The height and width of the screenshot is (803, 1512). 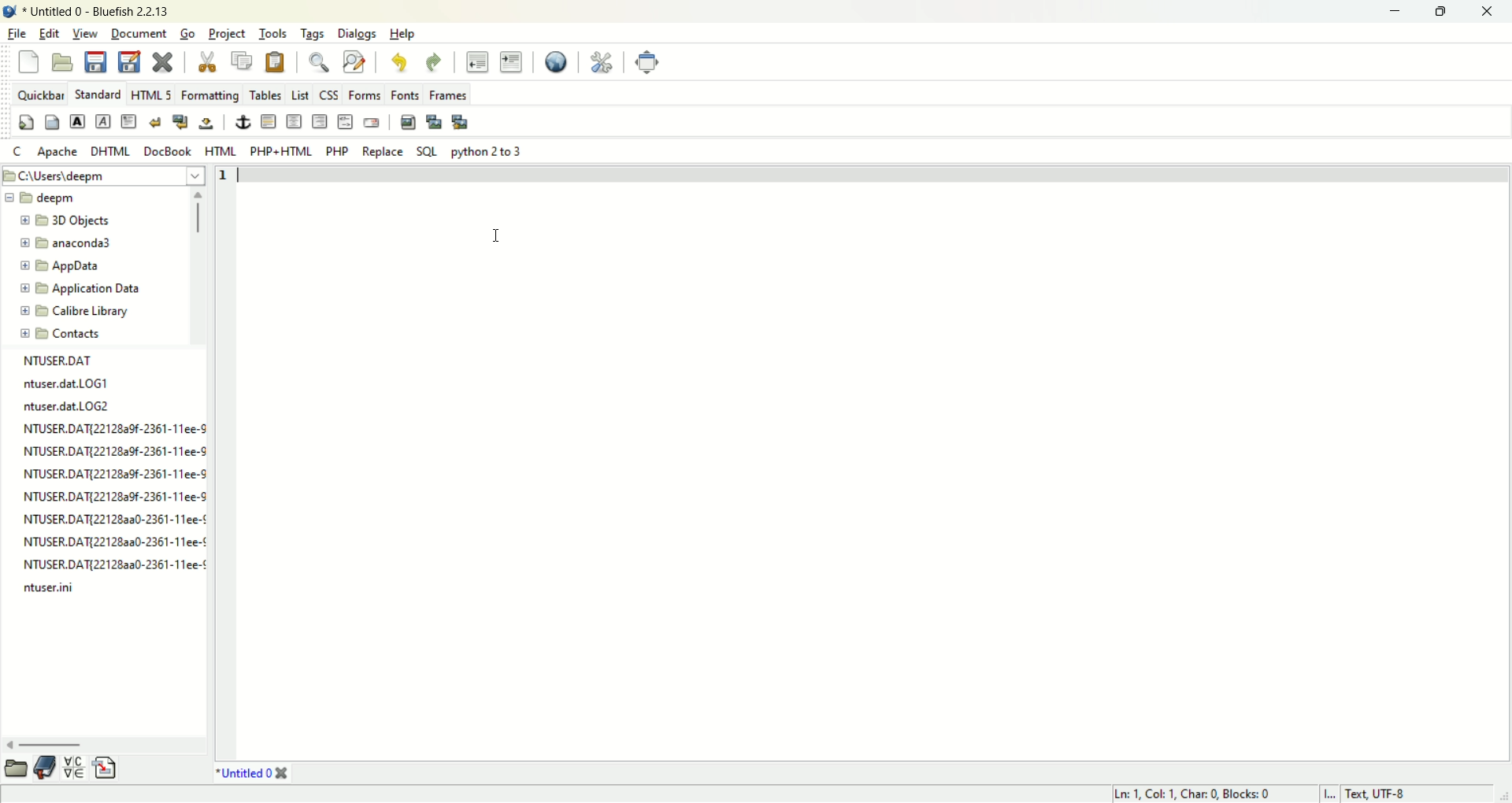 I want to click on text, UTF-8, so click(x=1381, y=794).